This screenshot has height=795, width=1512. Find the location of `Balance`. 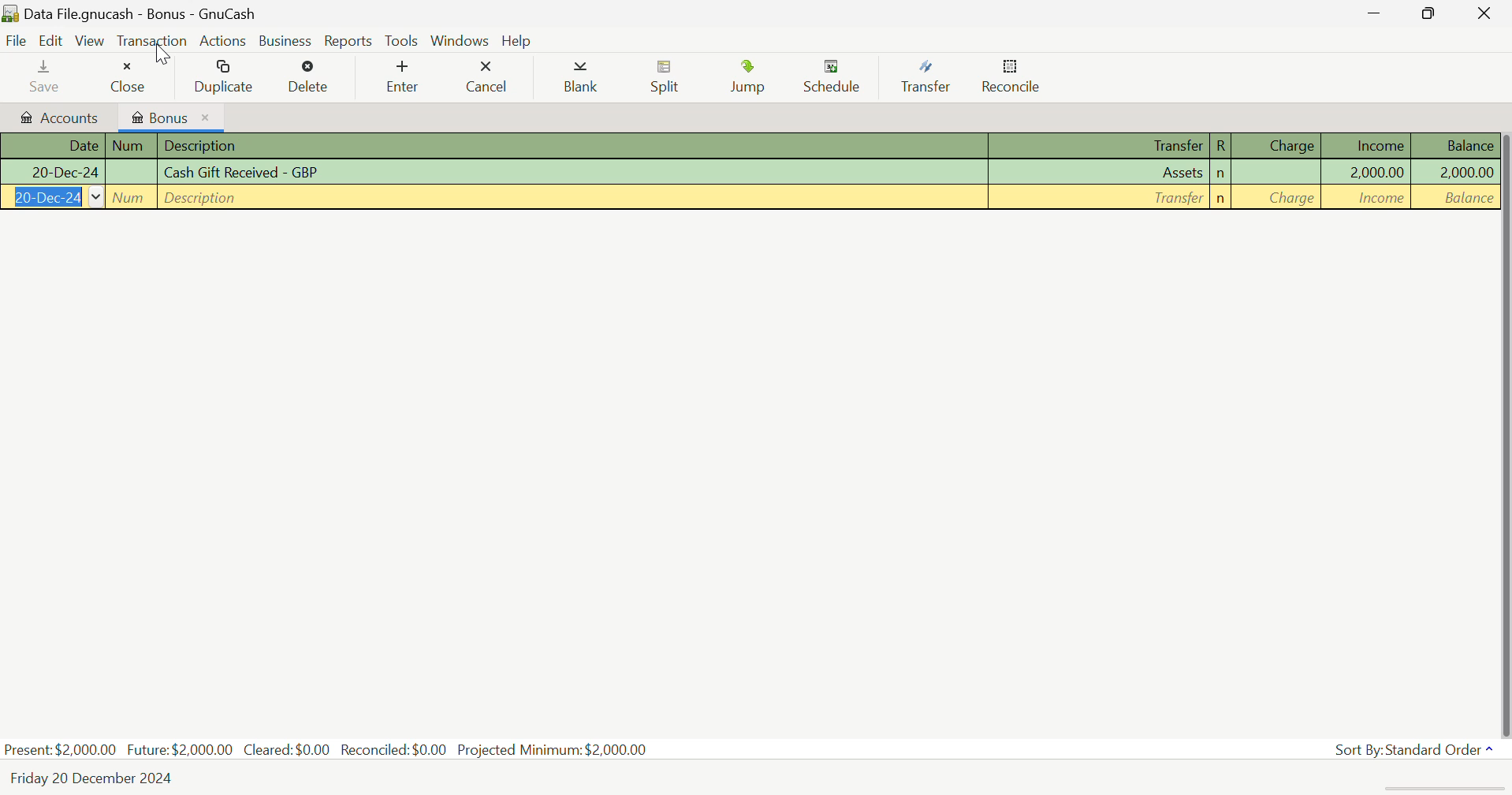

Balance is located at coordinates (1455, 171).